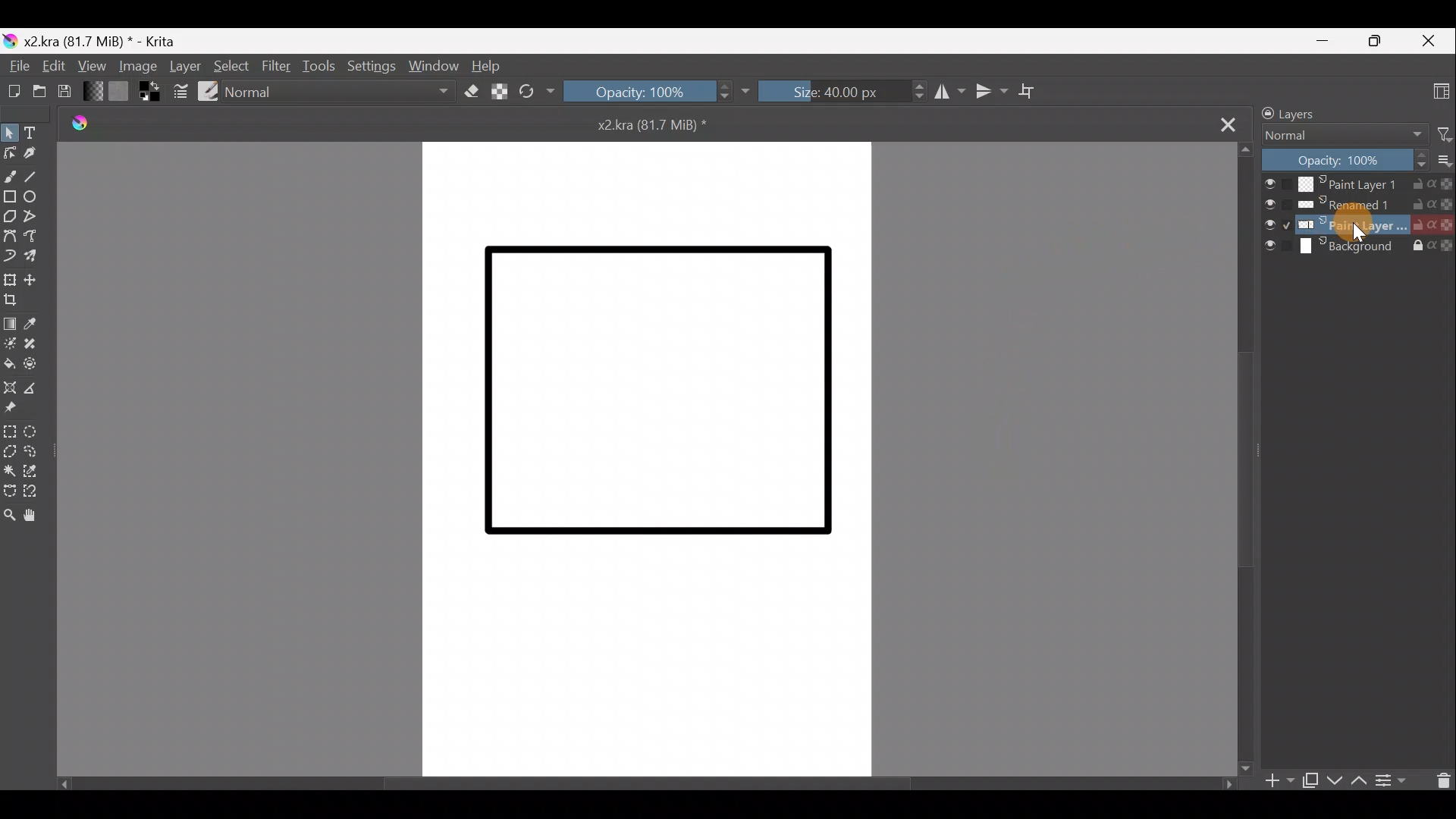 Image resolution: width=1456 pixels, height=819 pixels. I want to click on Zoom tool, so click(11, 515).